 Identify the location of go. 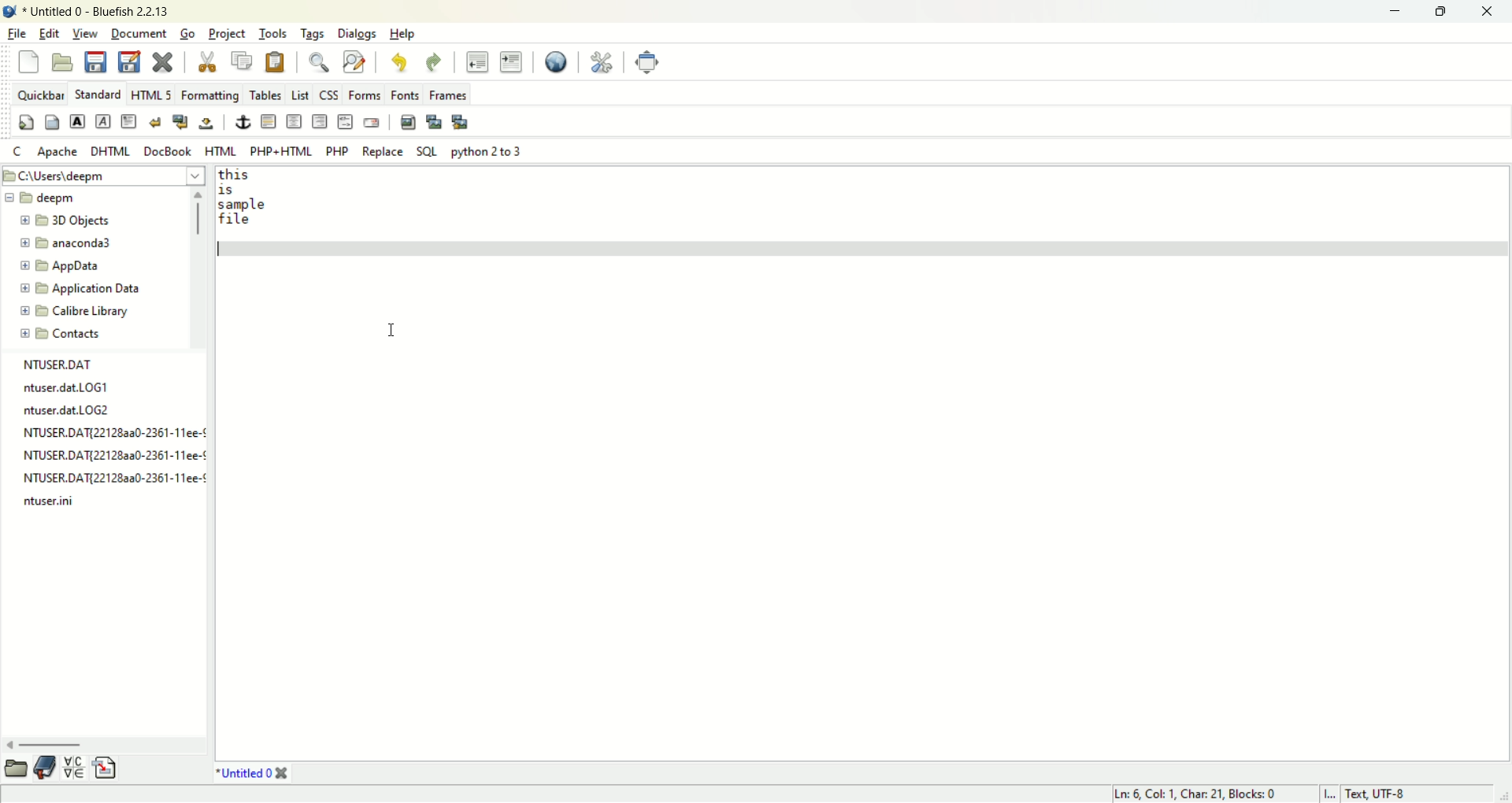
(189, 34).